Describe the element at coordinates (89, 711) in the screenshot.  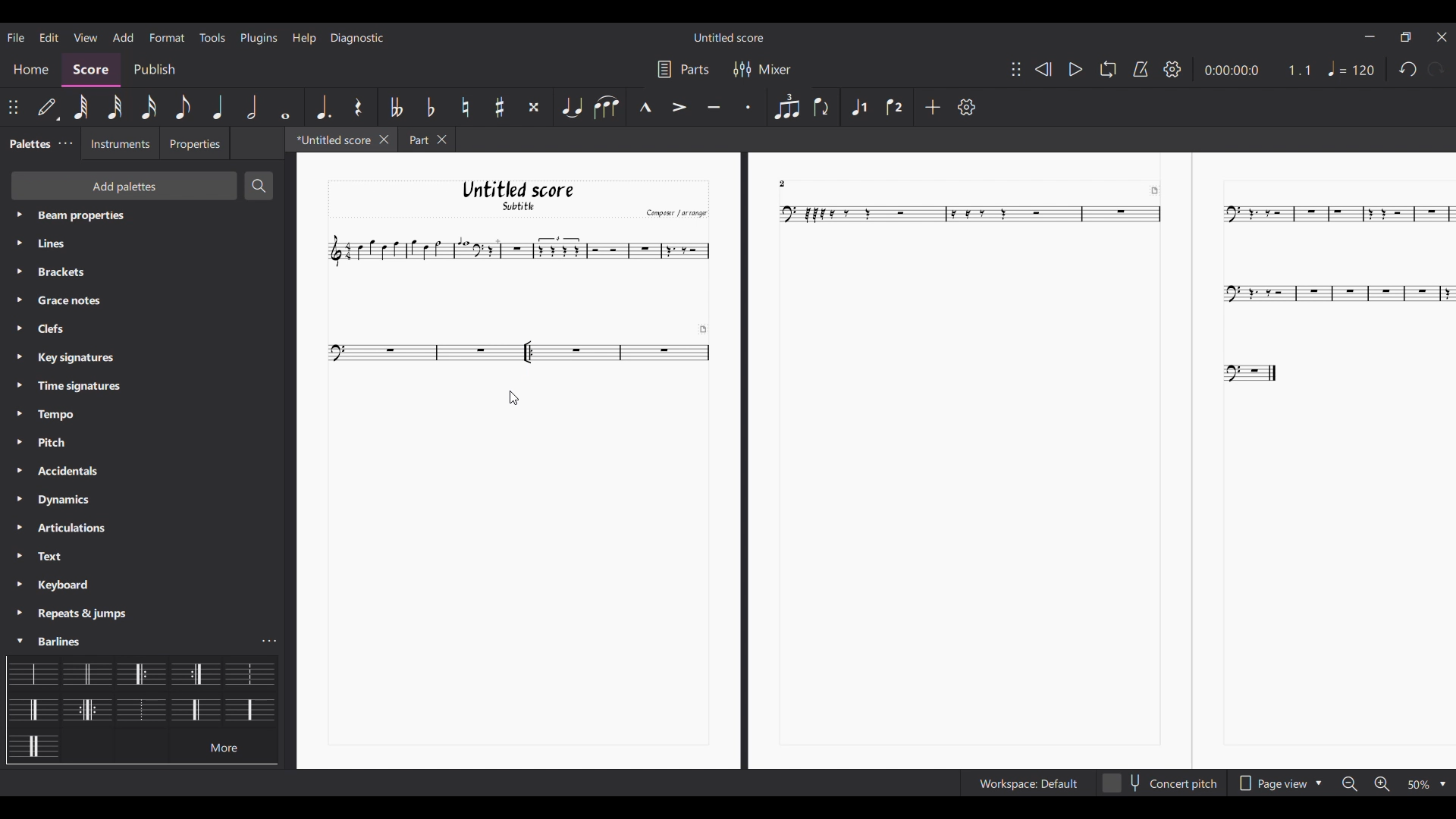
I see `Barline options` at that location.